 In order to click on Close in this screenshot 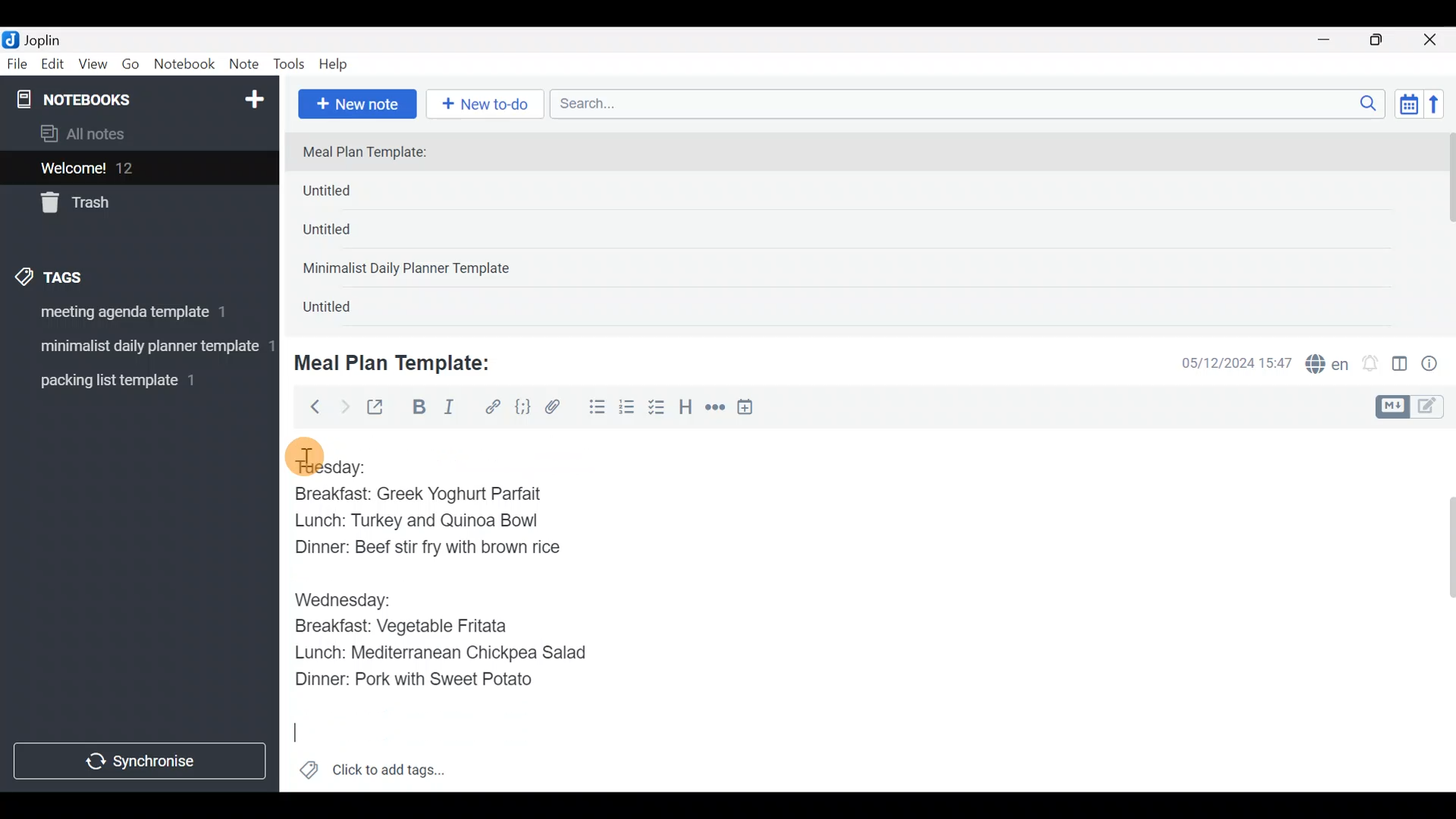, I will do `click(1432, 41)`.